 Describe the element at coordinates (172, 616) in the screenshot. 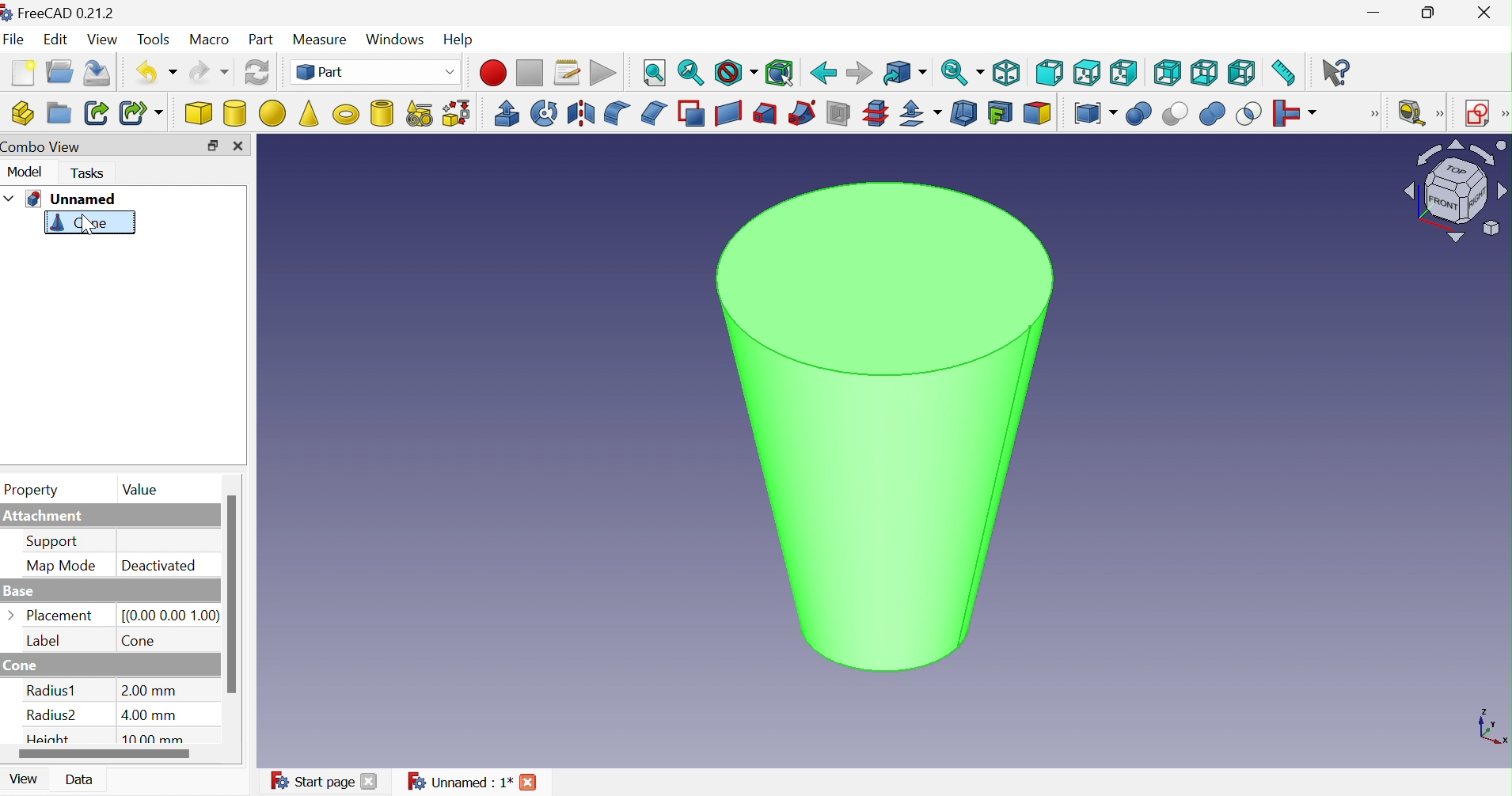

I see `[(0.00 0.00 1.00)` at that location.